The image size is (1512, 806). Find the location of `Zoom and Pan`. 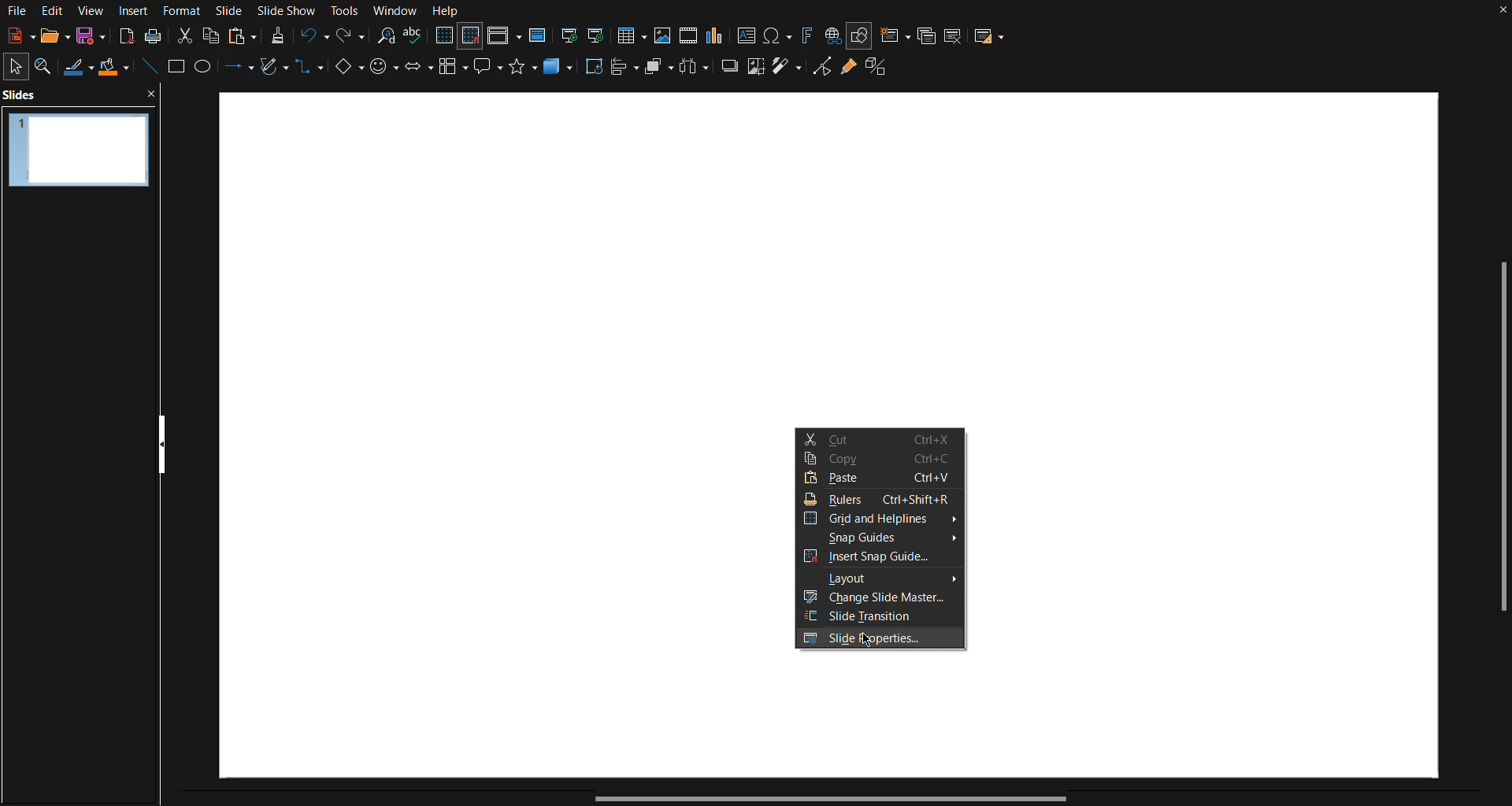

Zoom and Pan is located at coordinates (48, 67).